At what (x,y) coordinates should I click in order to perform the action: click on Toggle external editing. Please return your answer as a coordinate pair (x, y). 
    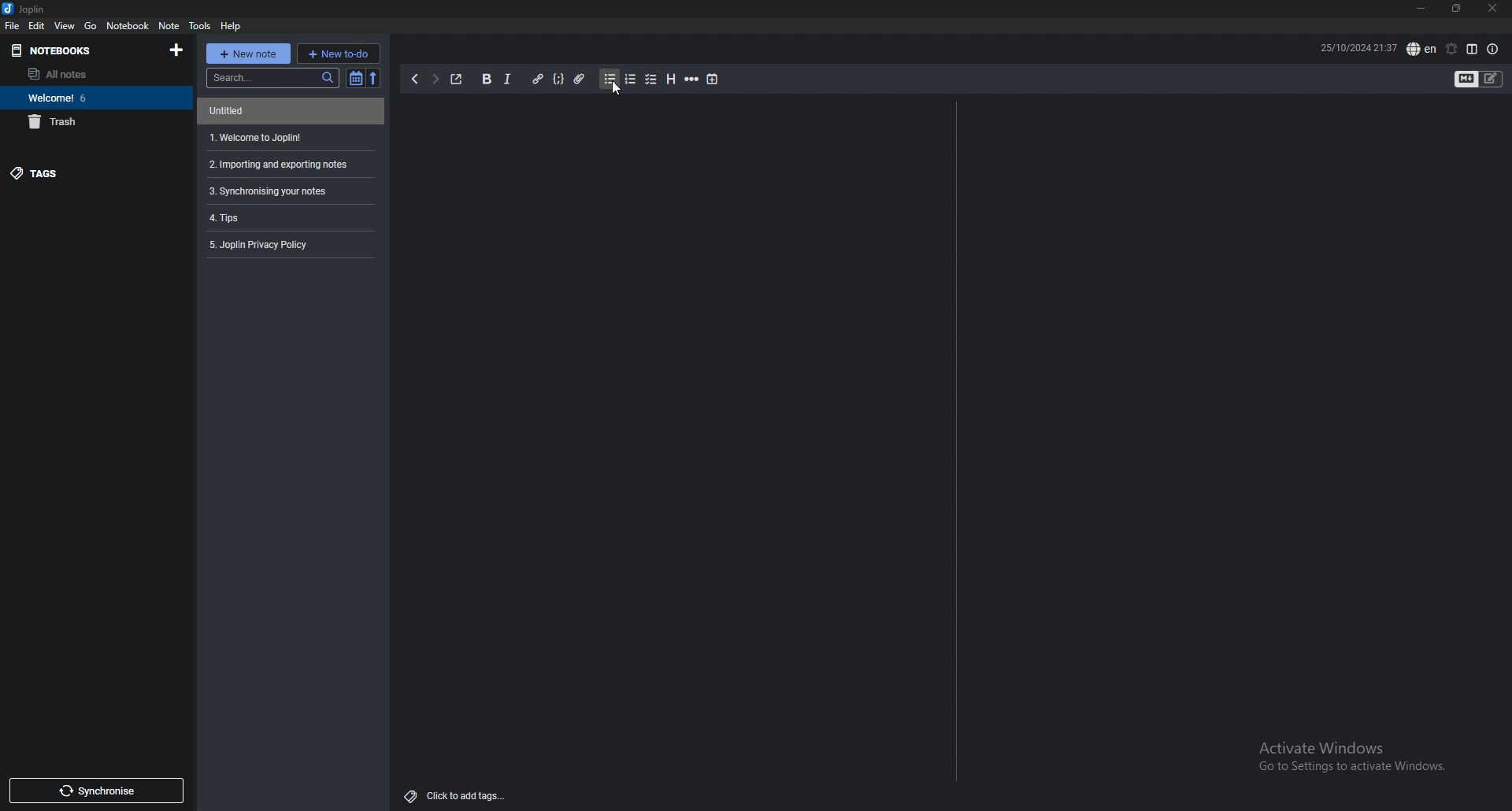
    Looking at the image, I should click on (459, 77).